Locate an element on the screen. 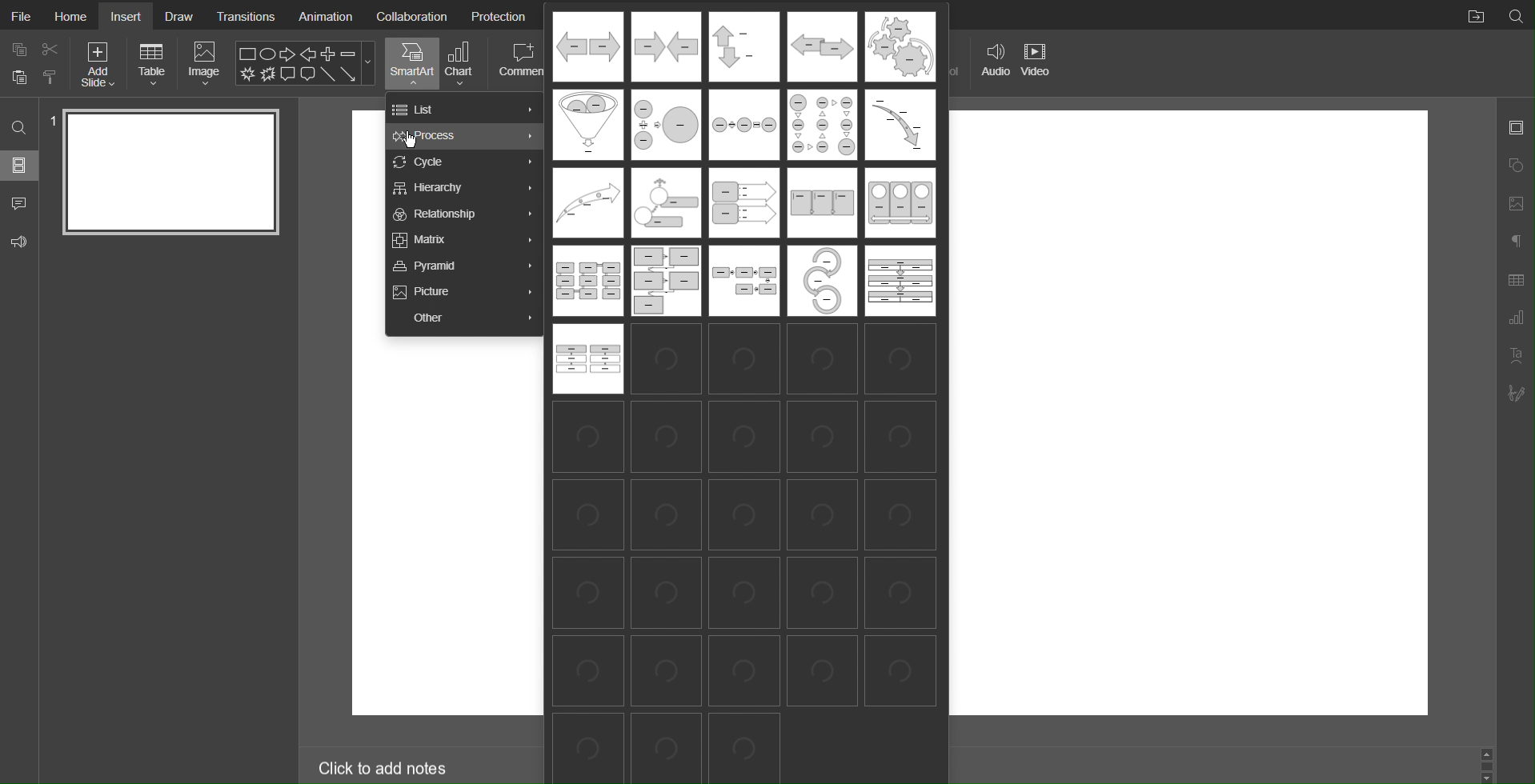  Animation is located at coordinates (325, 14).